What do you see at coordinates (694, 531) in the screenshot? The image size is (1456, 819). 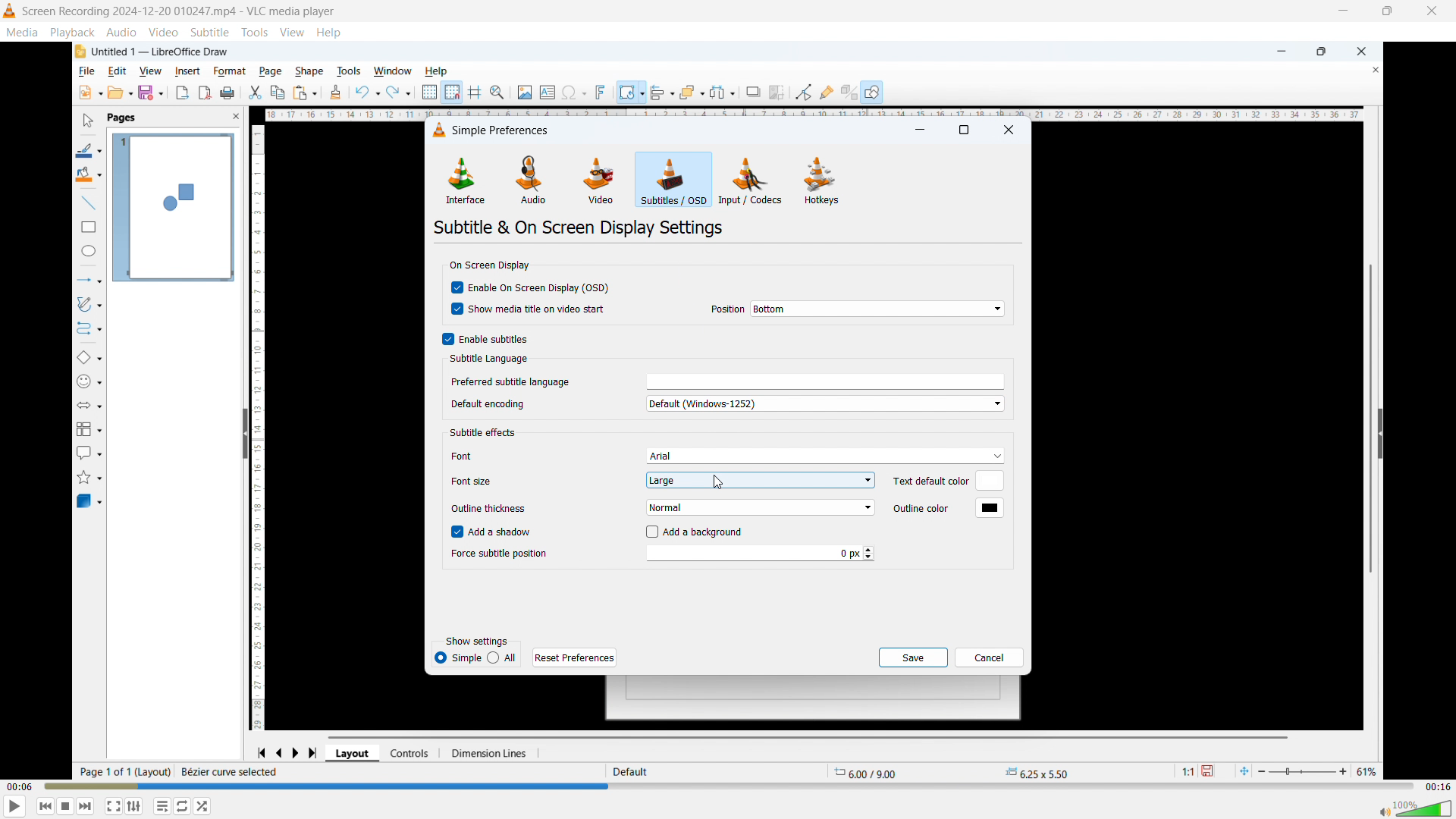 I see `Add background` at bounding box center [694, 531].